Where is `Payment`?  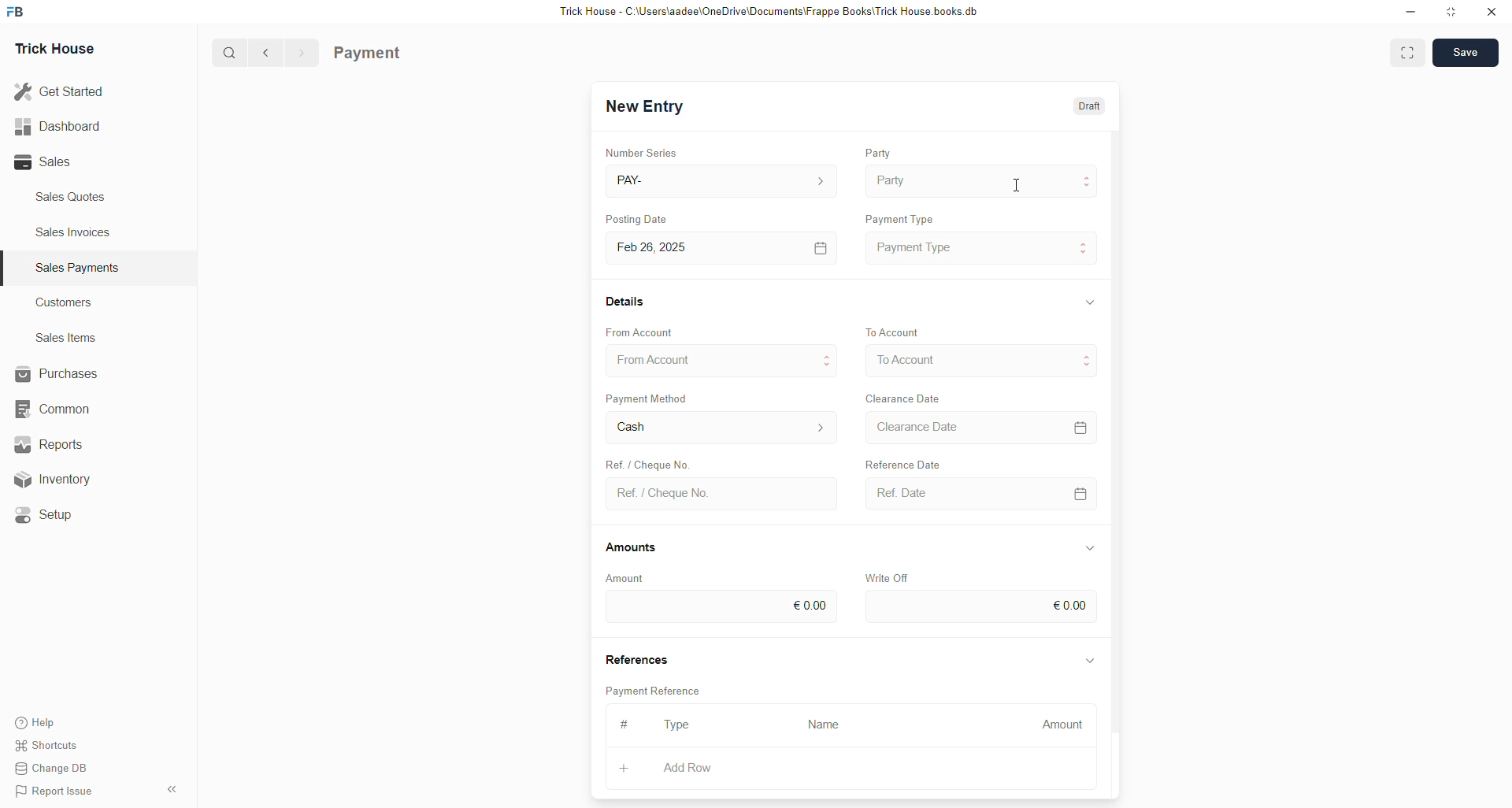 Payment is located at coordinates (368, 54).